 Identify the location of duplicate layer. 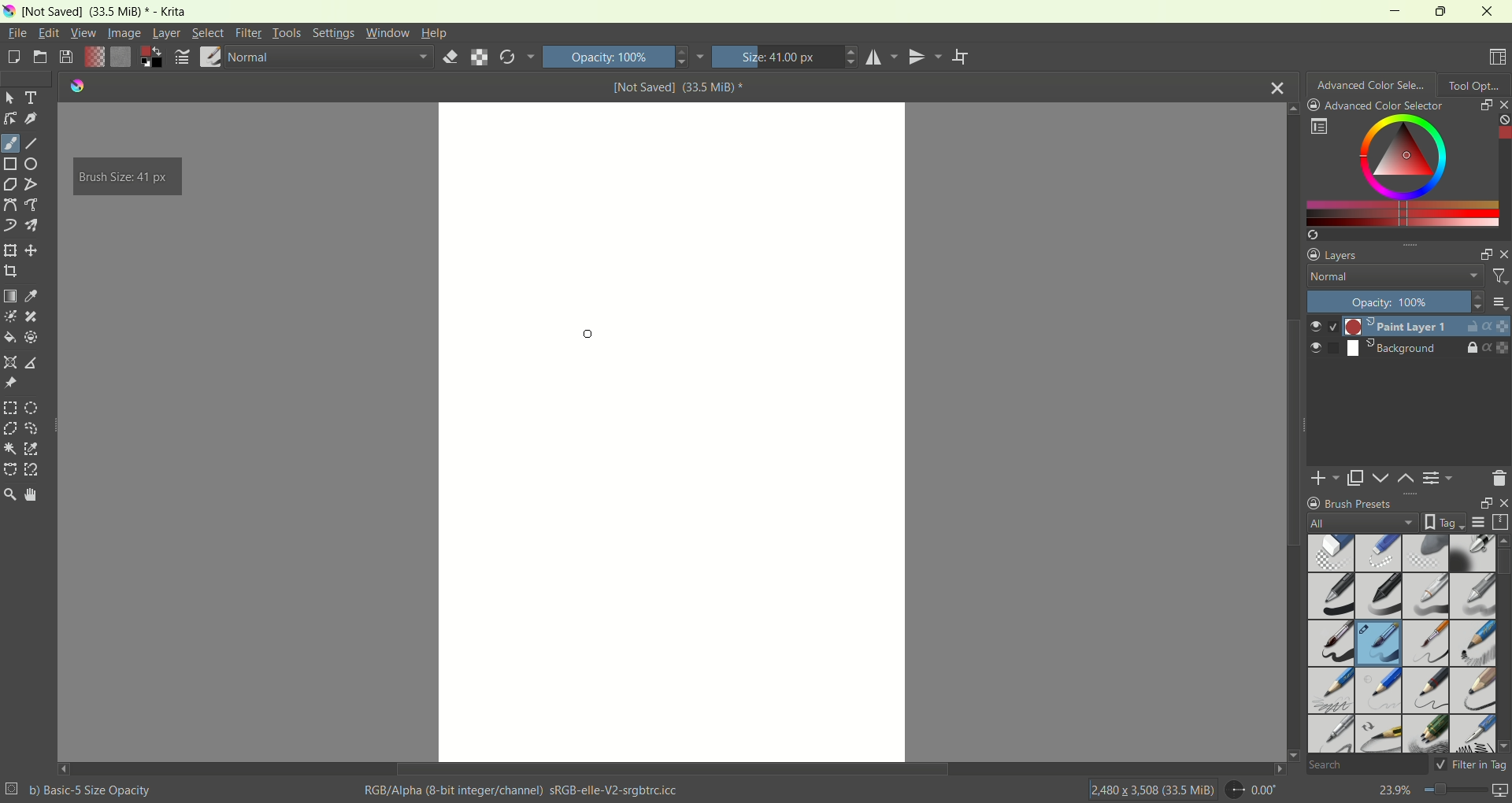
(1357, 478).